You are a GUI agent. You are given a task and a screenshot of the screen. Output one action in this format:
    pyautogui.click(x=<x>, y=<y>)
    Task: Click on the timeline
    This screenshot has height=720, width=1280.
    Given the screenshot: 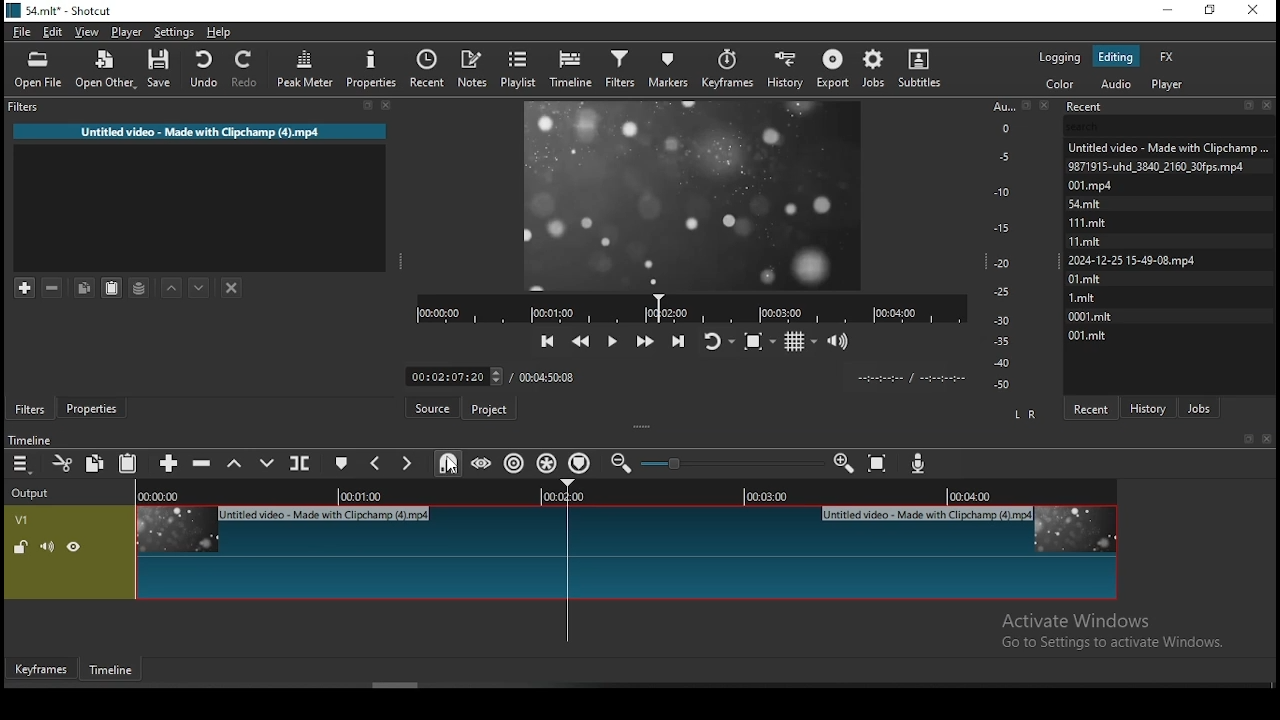 What is the action you would take?
    pyautogui.click(x=572, y=70)
    